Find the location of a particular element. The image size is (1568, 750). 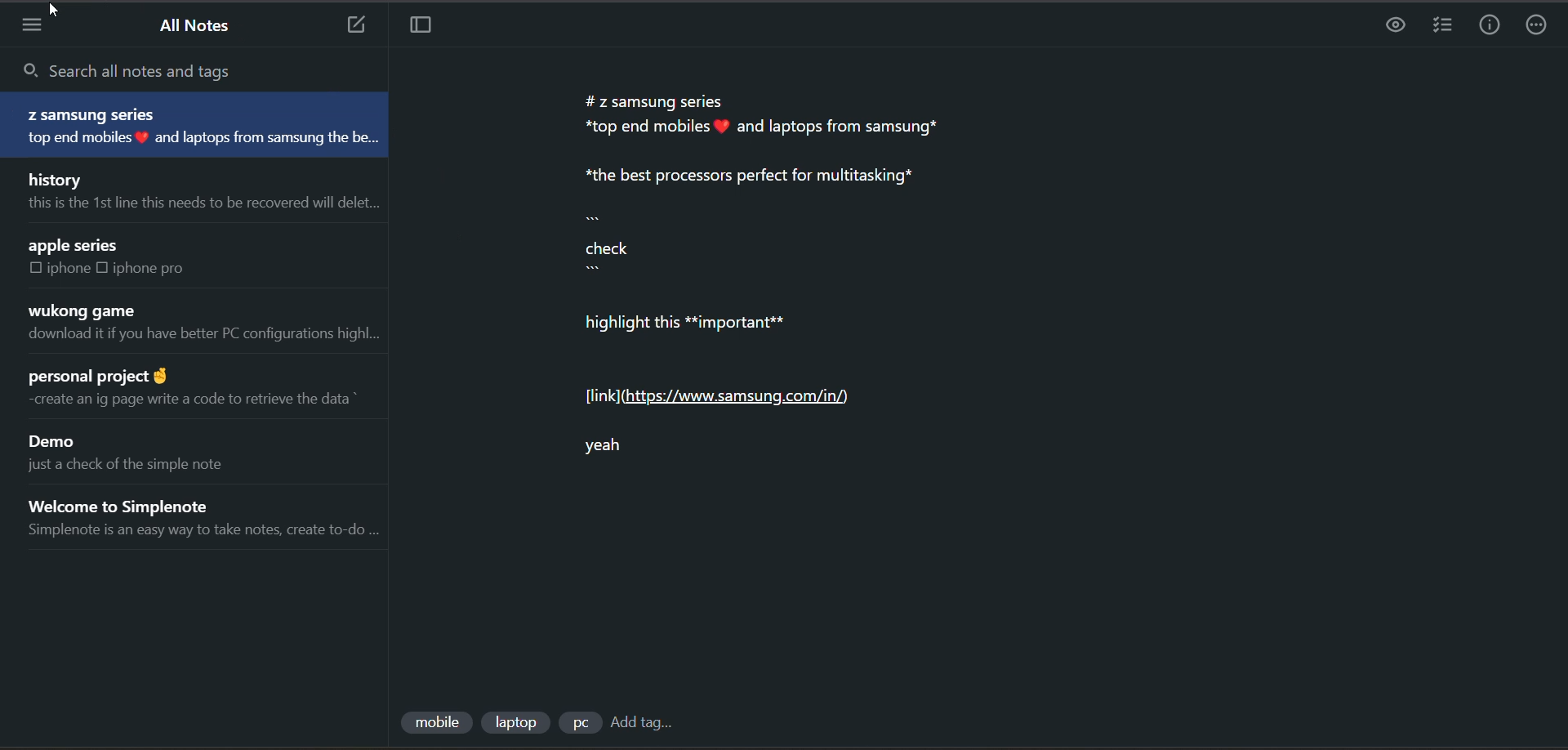

tag 2 is located at coordinates (517, 723).